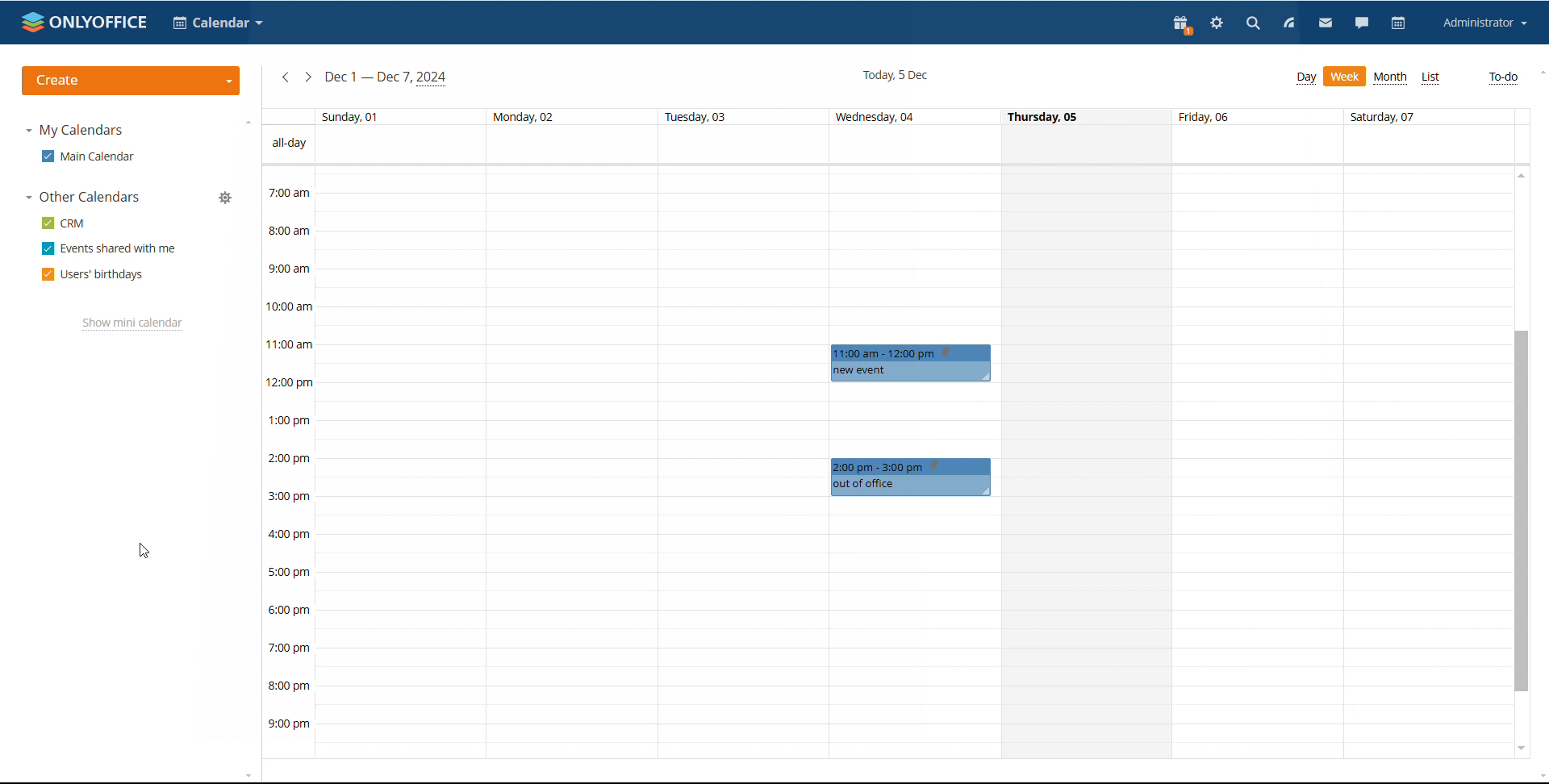 The image size is (1549, 784). I want to click on 30 min span, so click(658, 316).